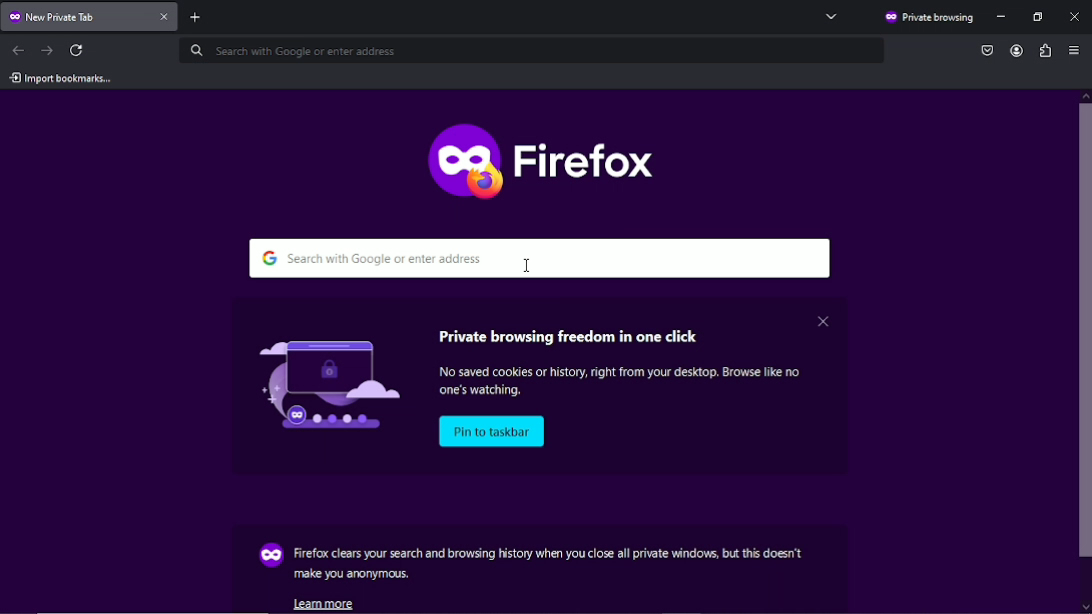 The image size is (1092, 614). Describe the element at coordinates (832, 16) in the screenshot. I see `list all tabs` at that location.